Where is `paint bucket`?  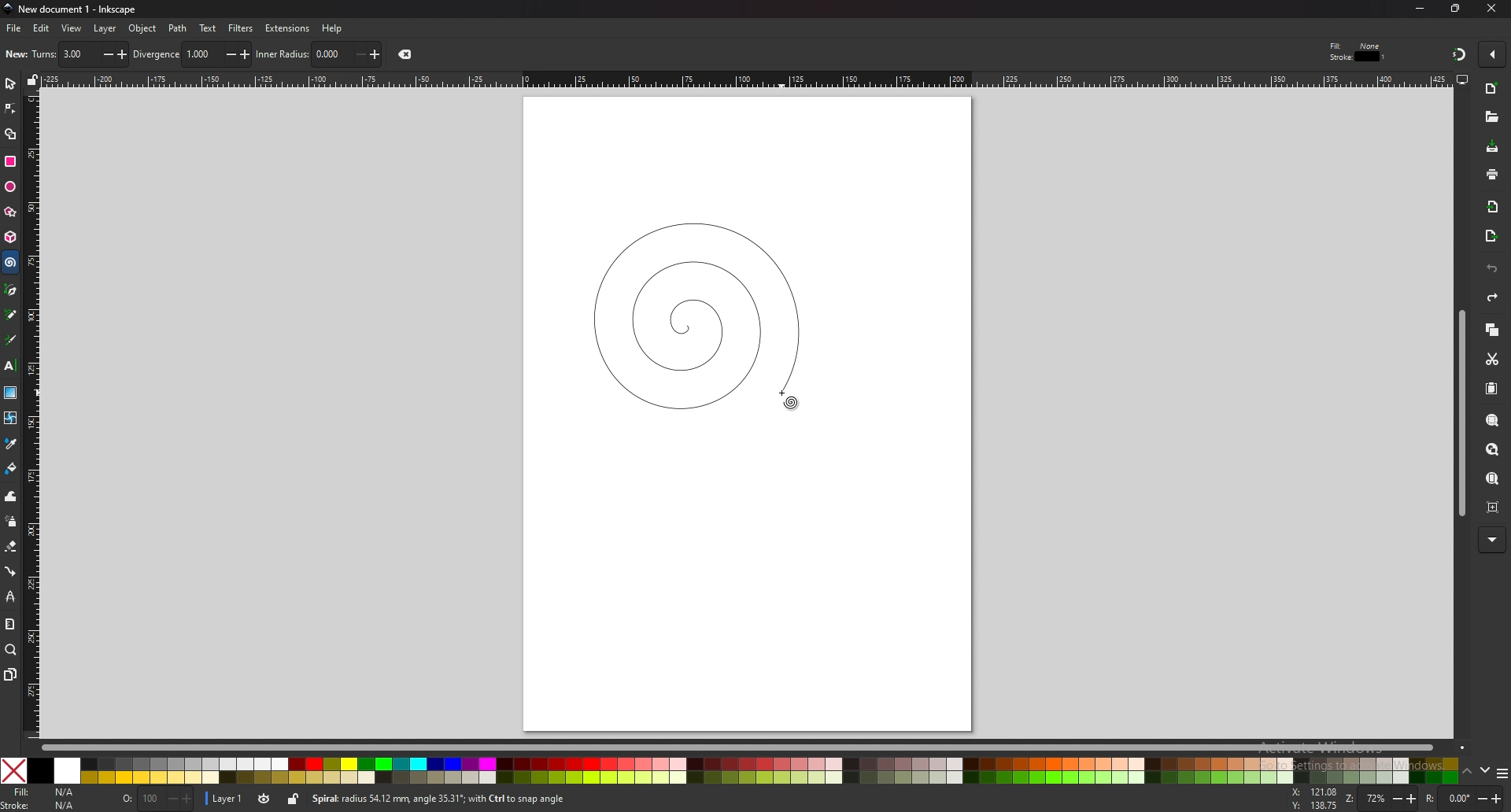
paint bucket is located at coordinates (10, 468).